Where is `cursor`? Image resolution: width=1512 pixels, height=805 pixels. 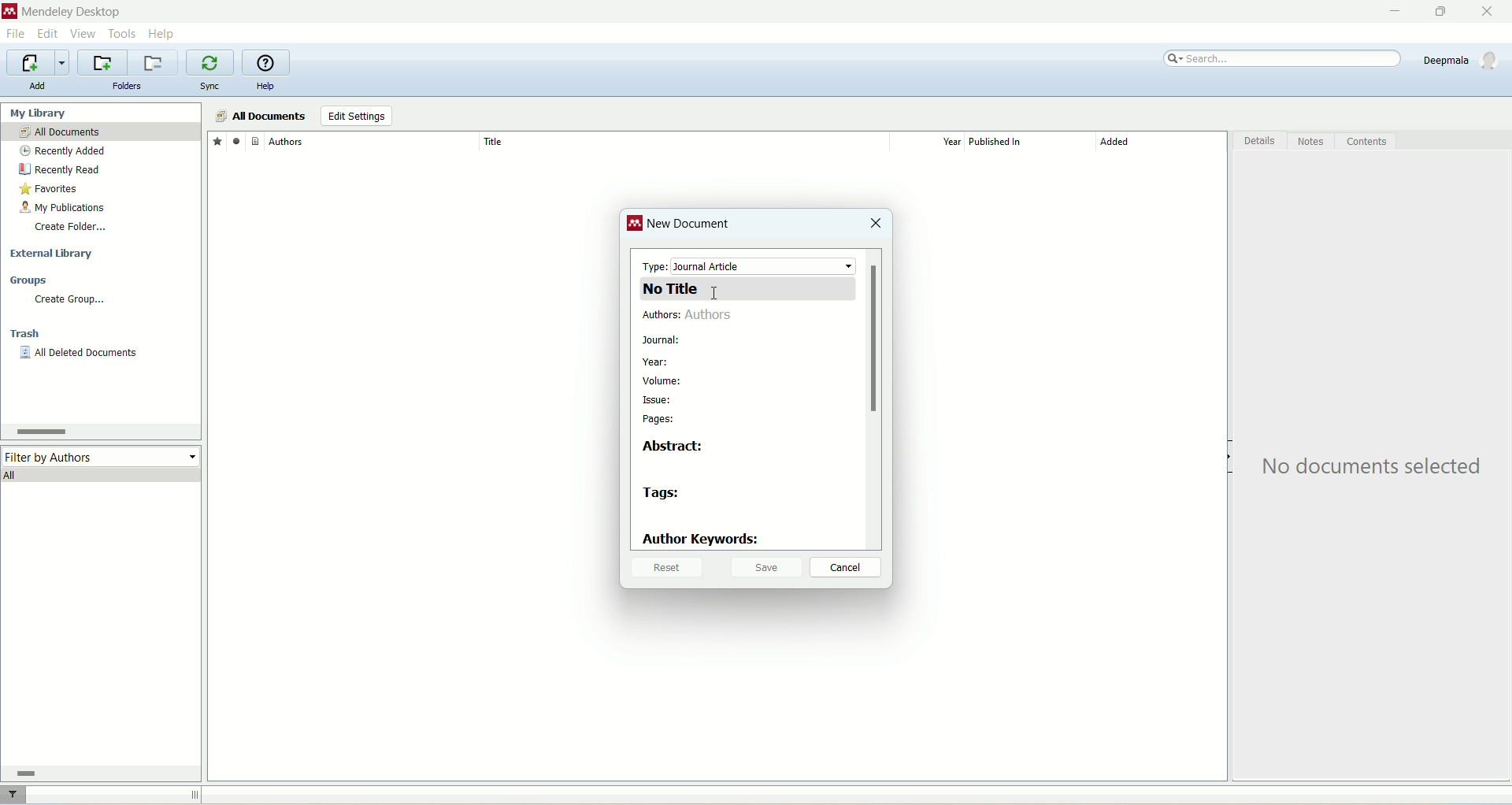
cursor is located at coordinates (719, 298).